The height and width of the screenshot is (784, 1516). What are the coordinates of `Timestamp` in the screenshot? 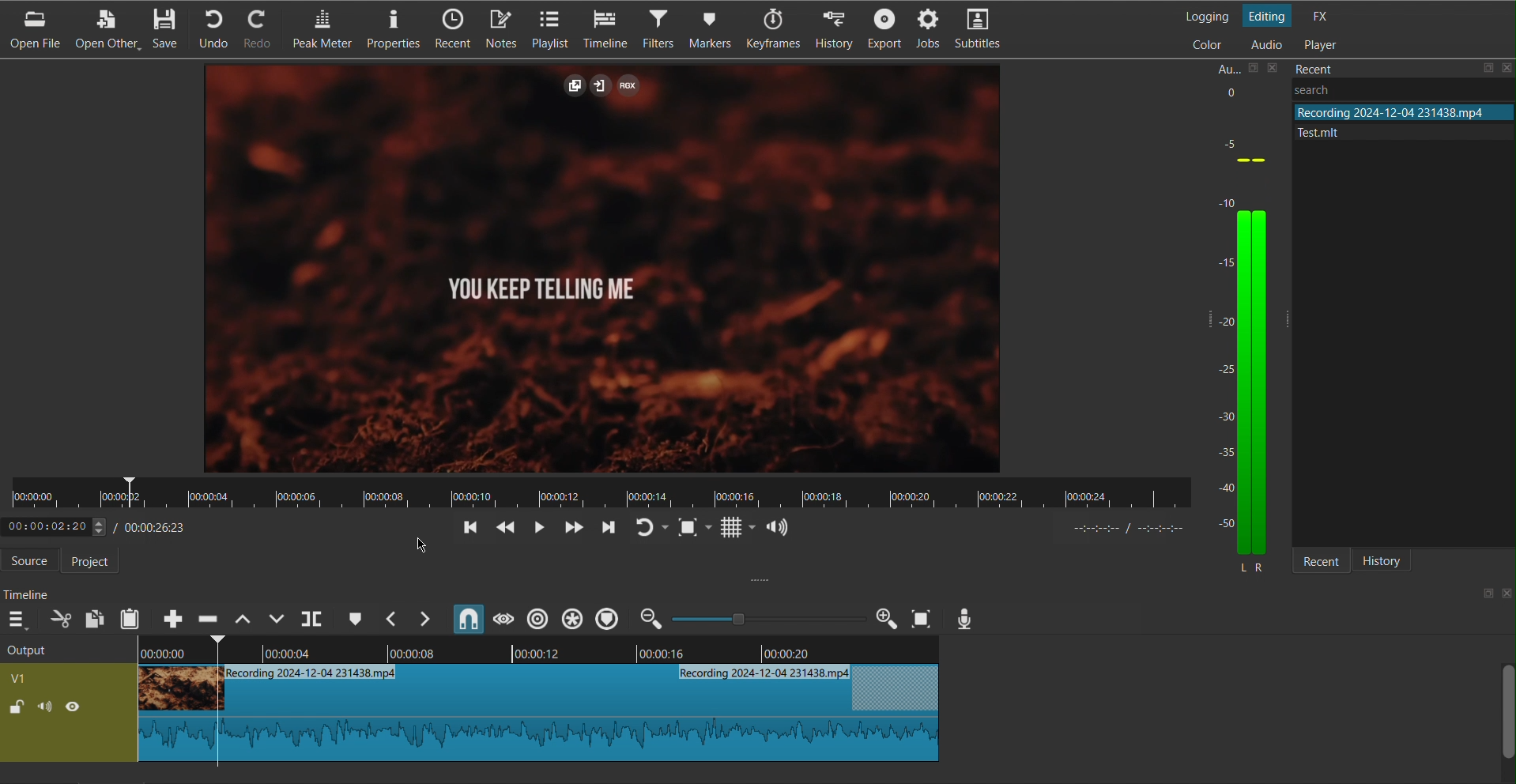 It's located at (152, 526).